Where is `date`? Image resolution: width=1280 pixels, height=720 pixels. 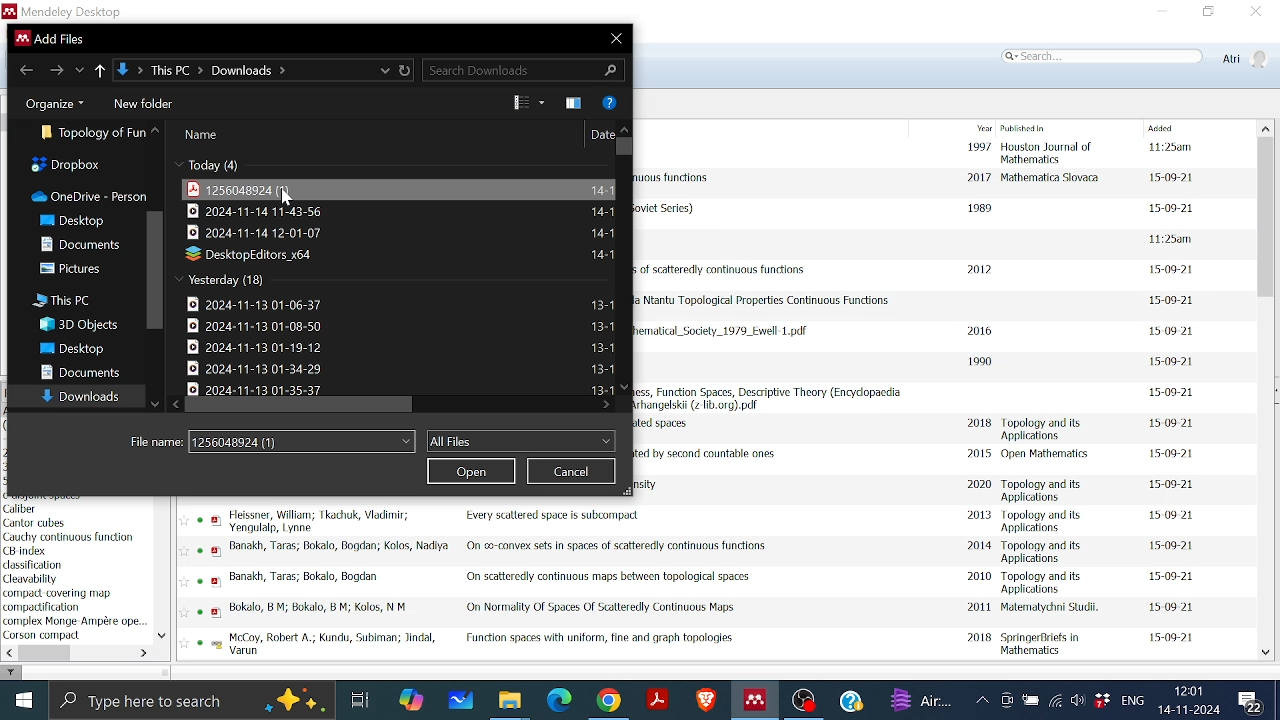 date is located at coordinates (1172, 330).